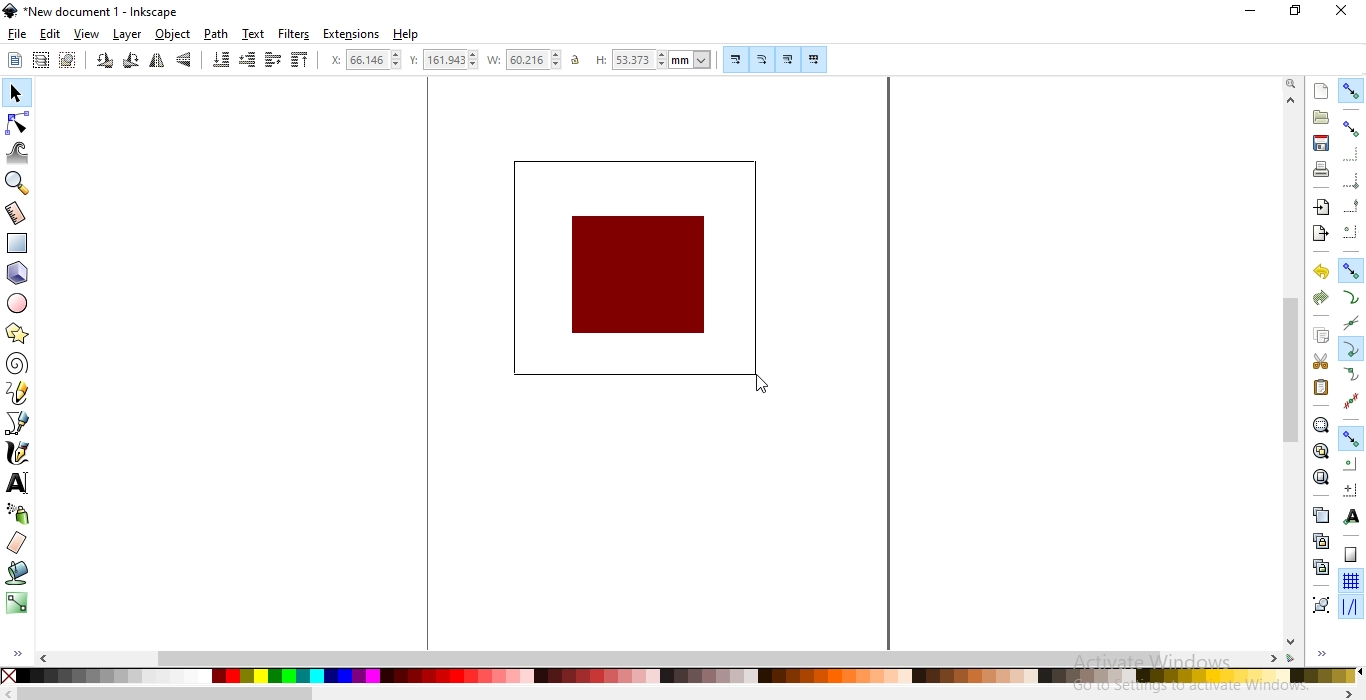 This screenshot has height=700, width=1366. What do you see at coordinates (1350, 582) in the screenshot?
I see `snap to grids` at bounding box center [1350, 582].